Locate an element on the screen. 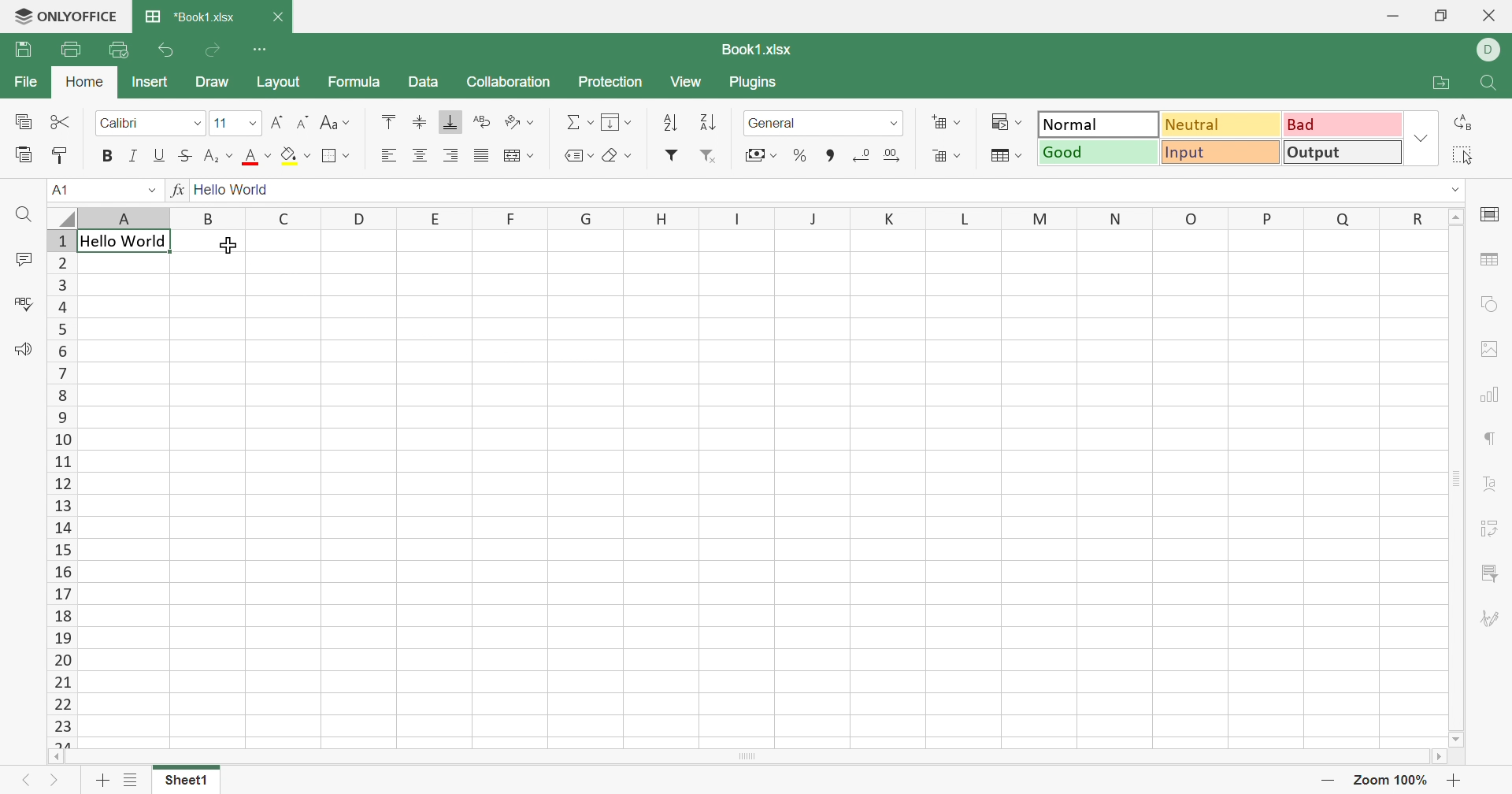 This screenshot has width=1512, height=794. Add sheet is located at coordinates (99, 781).